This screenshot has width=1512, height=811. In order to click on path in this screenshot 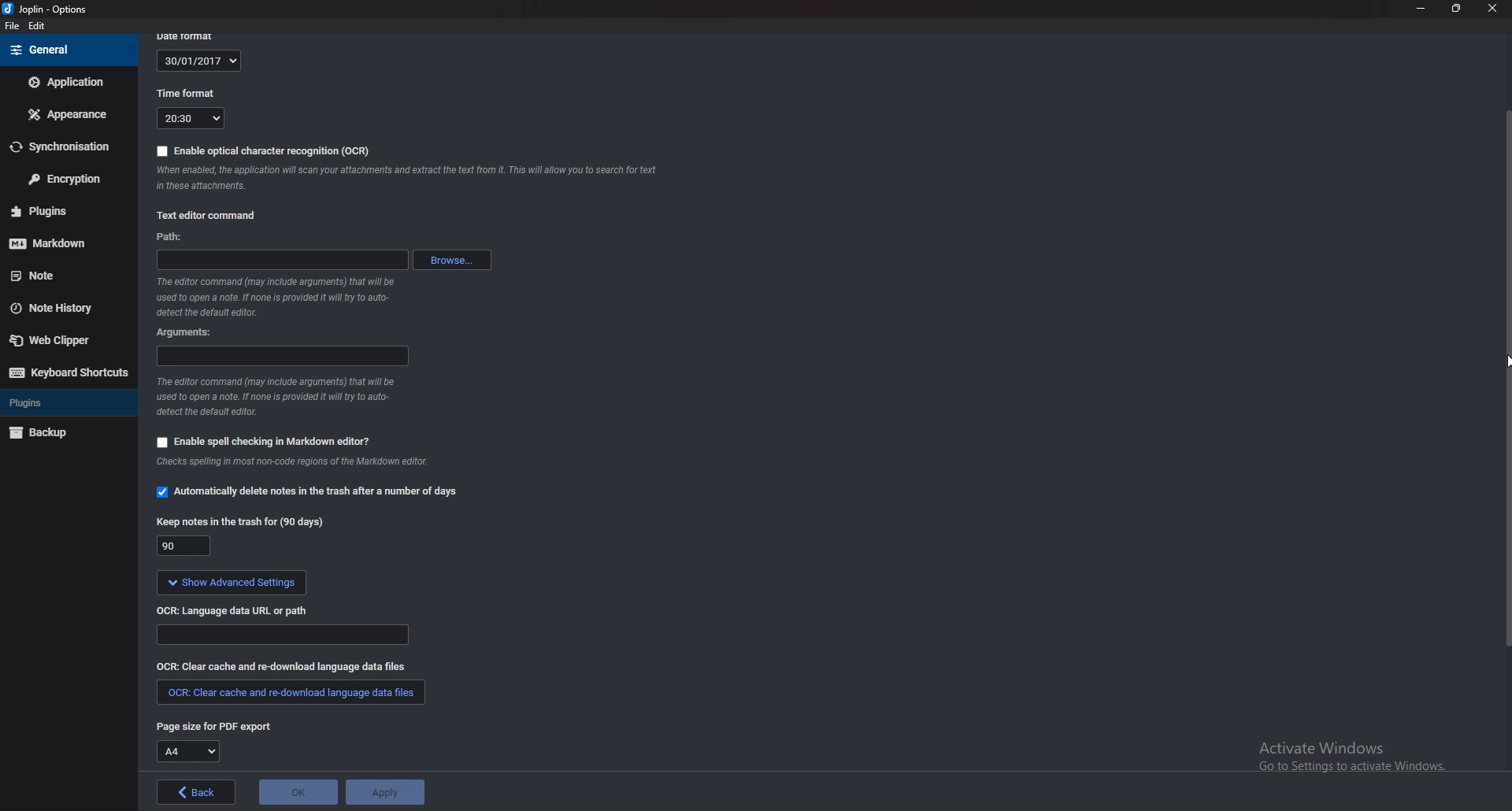, I will do `click(282, 261)`.